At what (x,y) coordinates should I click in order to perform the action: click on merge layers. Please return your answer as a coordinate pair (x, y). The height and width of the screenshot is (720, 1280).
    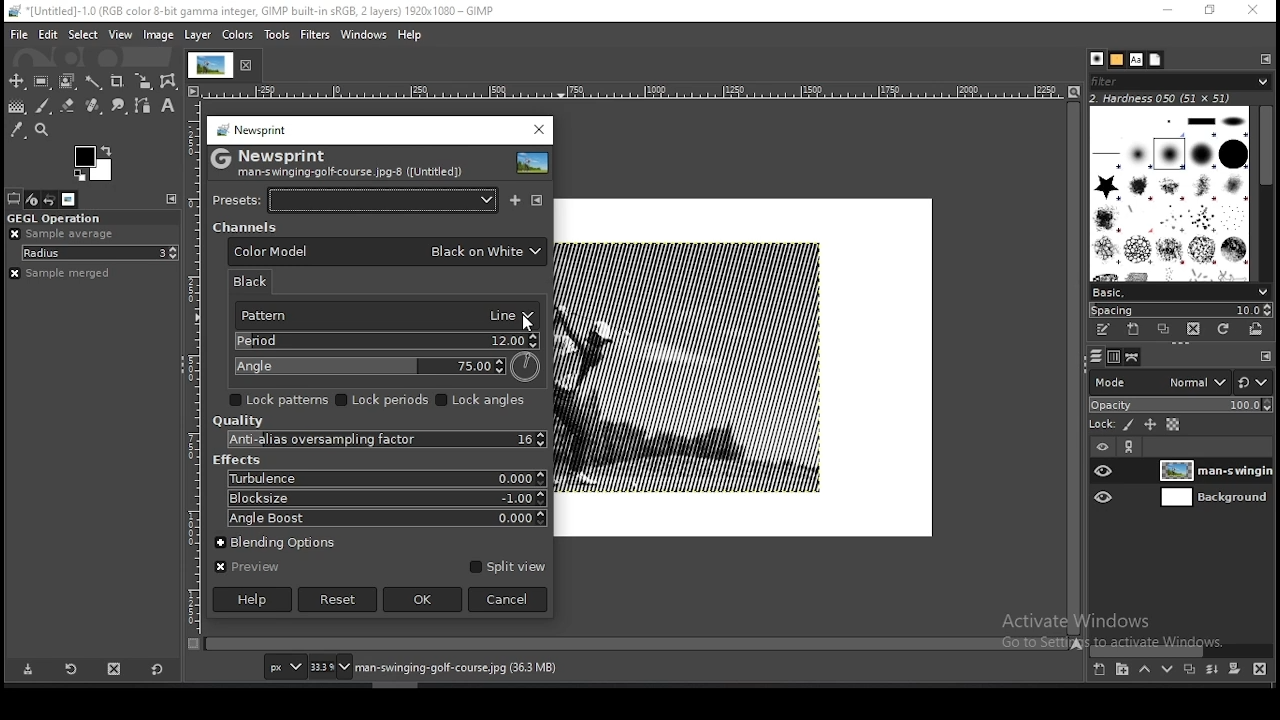
    Looking at the image, I should click on (1210, 669).